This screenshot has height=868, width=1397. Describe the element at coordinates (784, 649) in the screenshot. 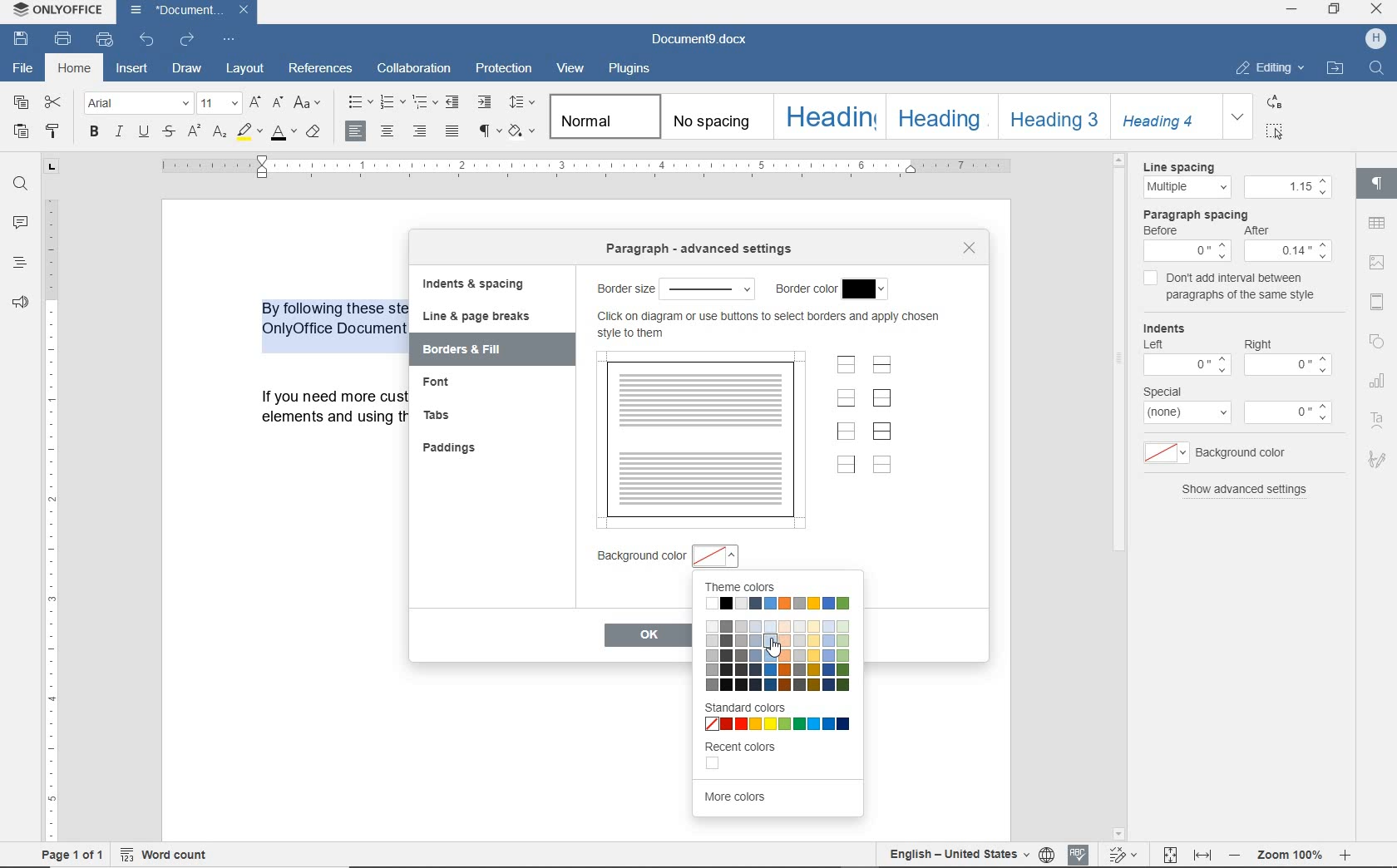

I see `cursor` at that location.